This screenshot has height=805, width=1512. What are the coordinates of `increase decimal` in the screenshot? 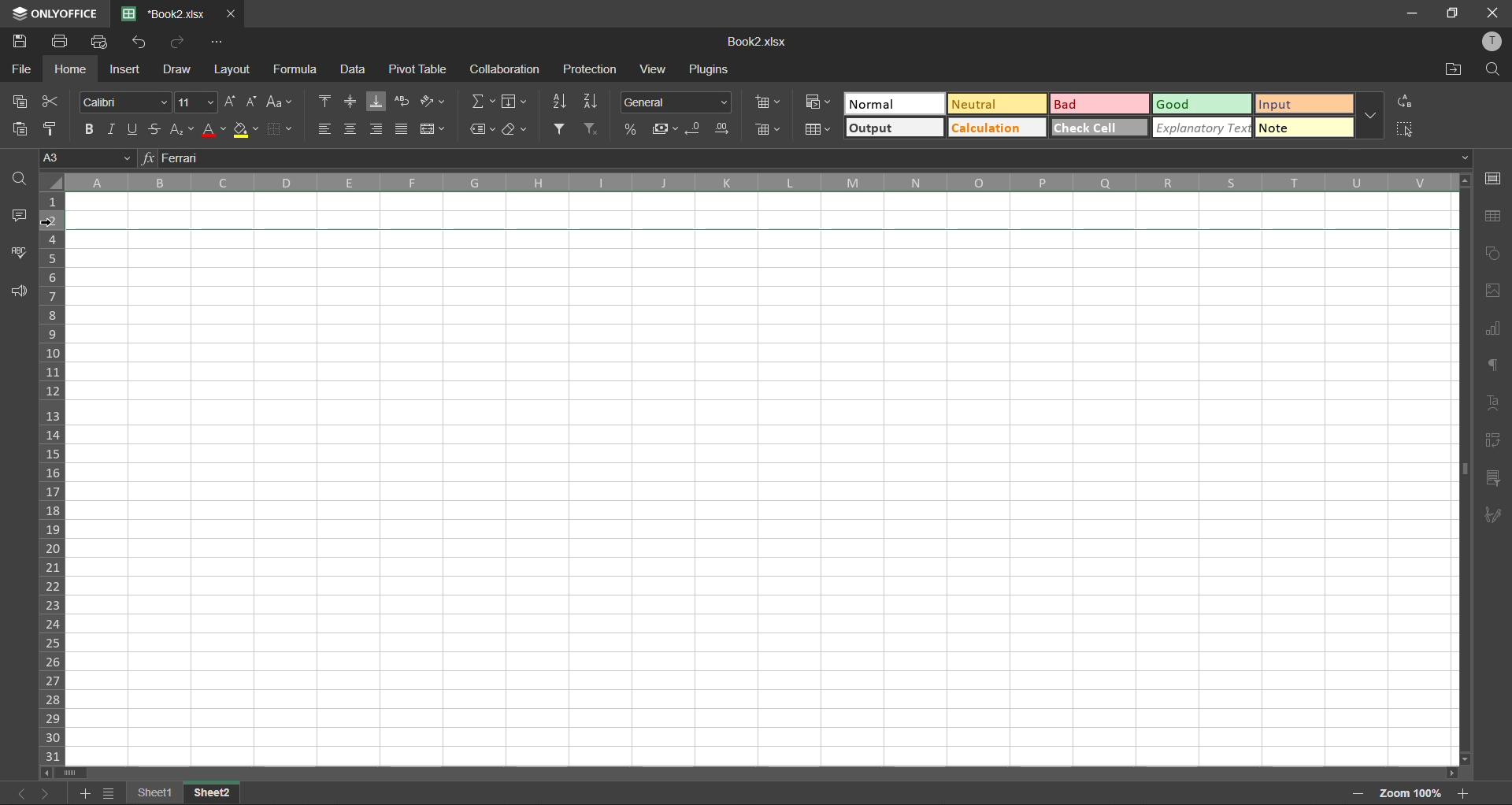 It's located at (722, 131).